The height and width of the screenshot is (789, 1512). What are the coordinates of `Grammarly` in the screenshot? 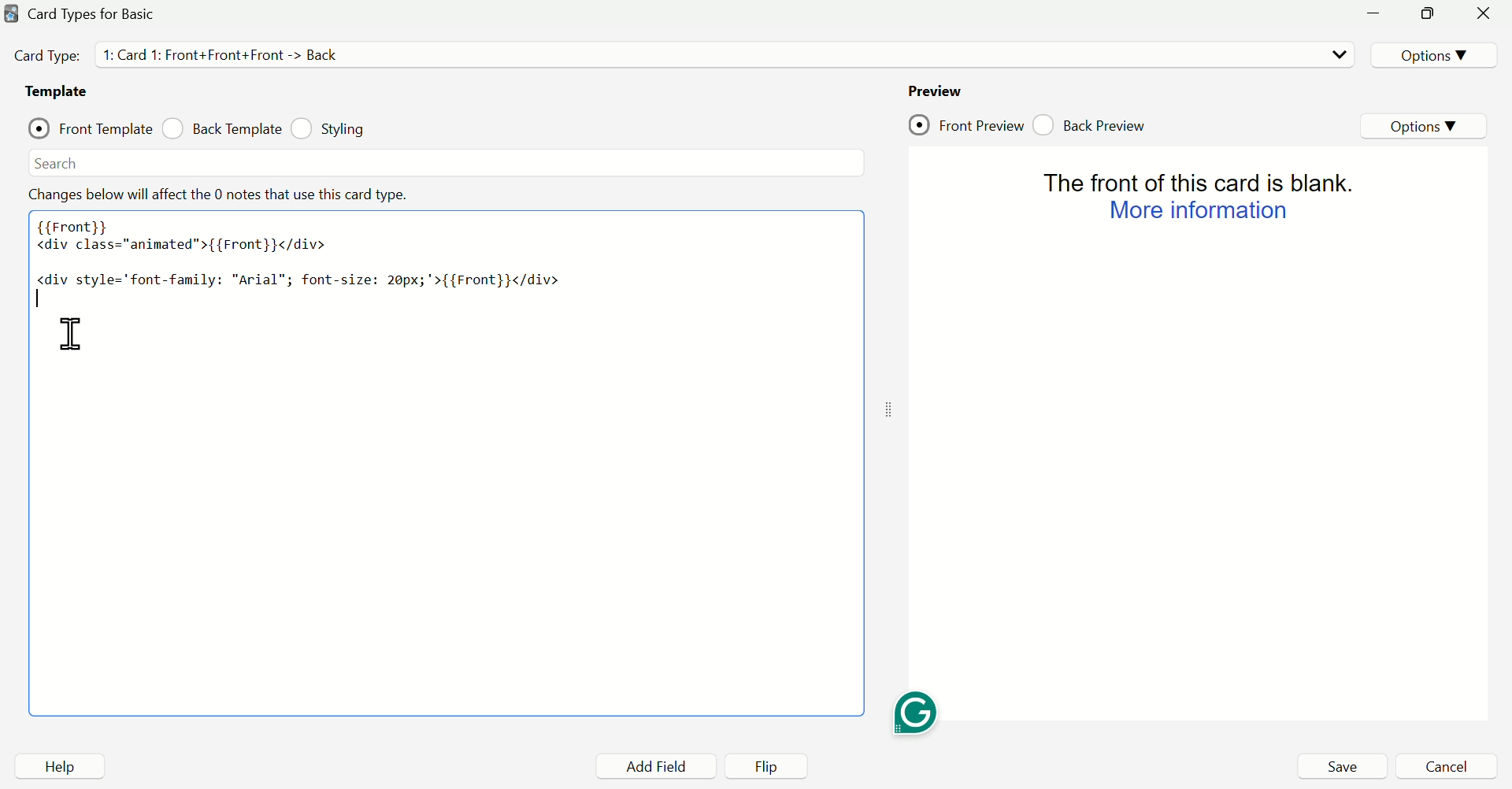 It's located at (917, 711).